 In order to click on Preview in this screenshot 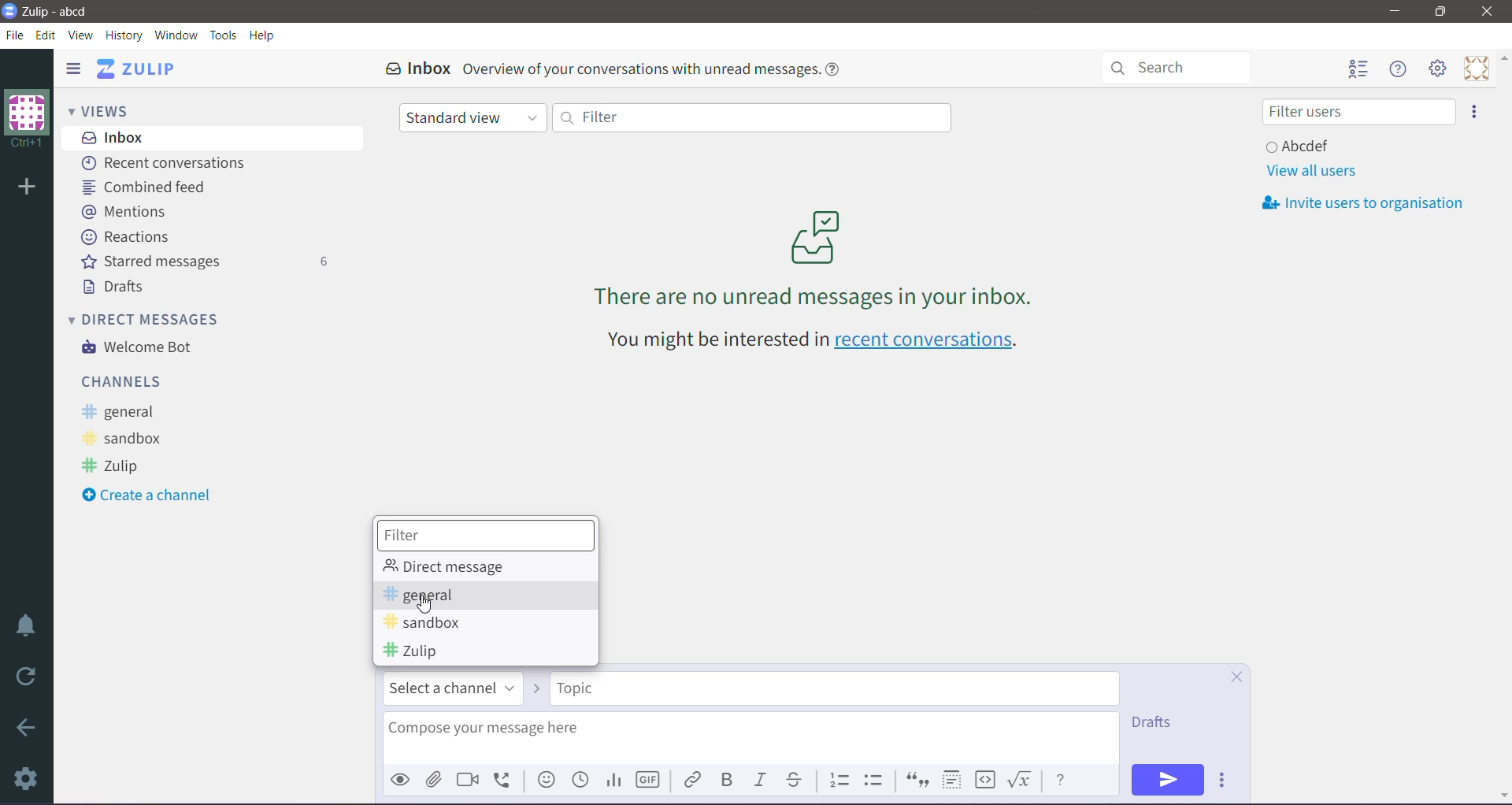, I will do `click(401, 779)`.